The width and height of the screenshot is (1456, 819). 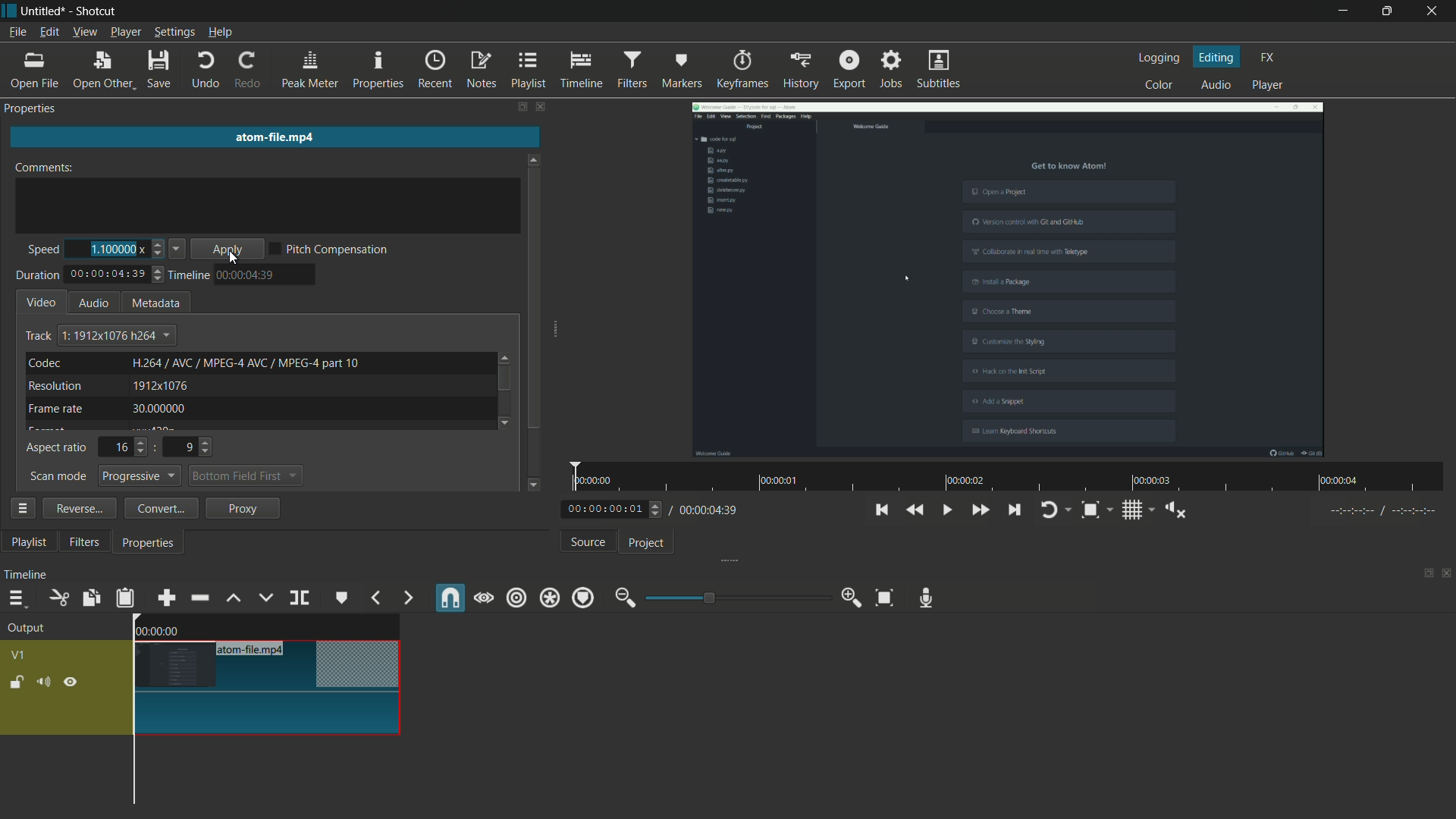 I want to click on maximize, so click(x=1384, y=11).